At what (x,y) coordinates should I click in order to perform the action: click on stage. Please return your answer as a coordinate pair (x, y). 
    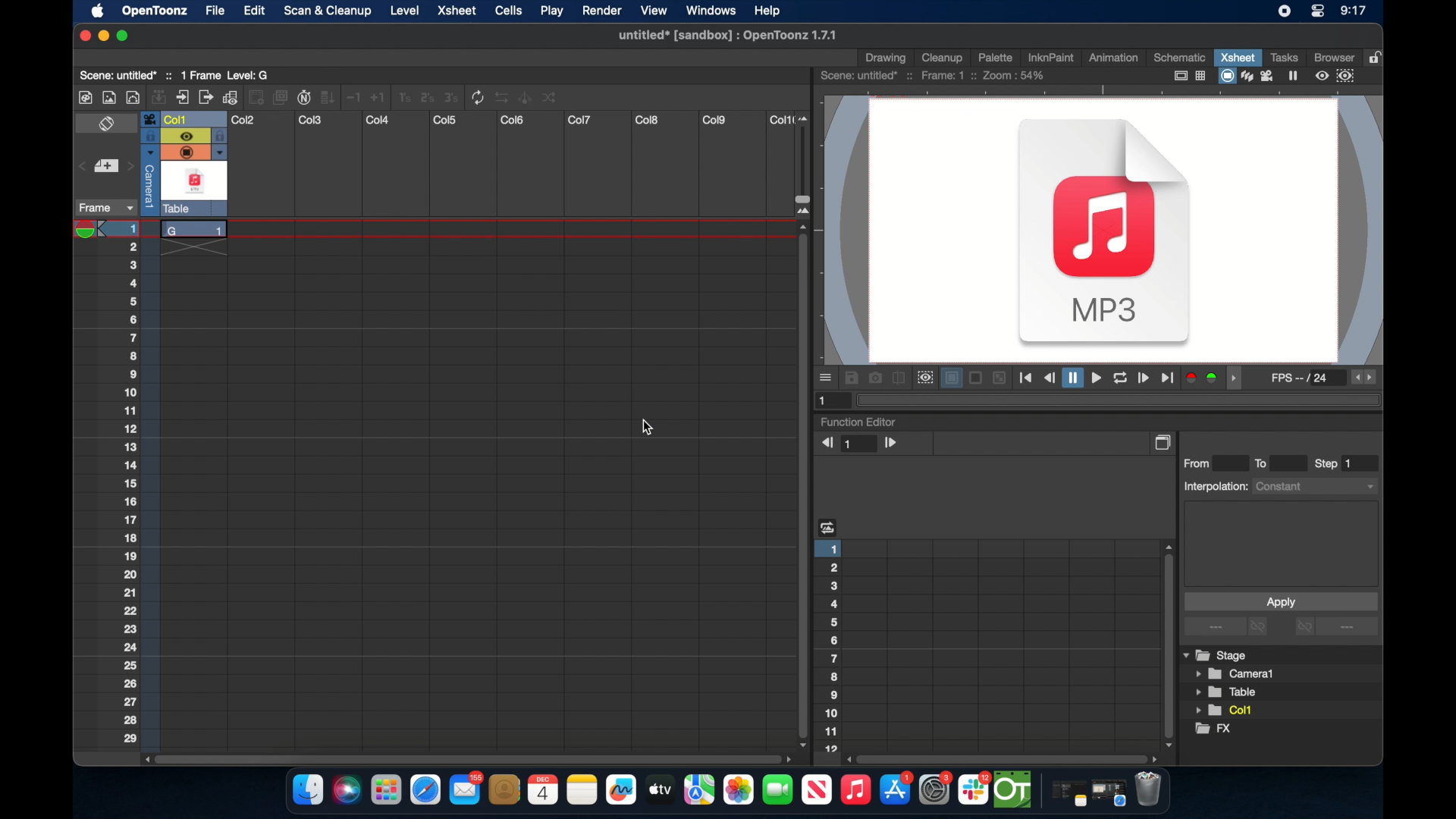
    Looking at the image, I should click on (1216, 656).